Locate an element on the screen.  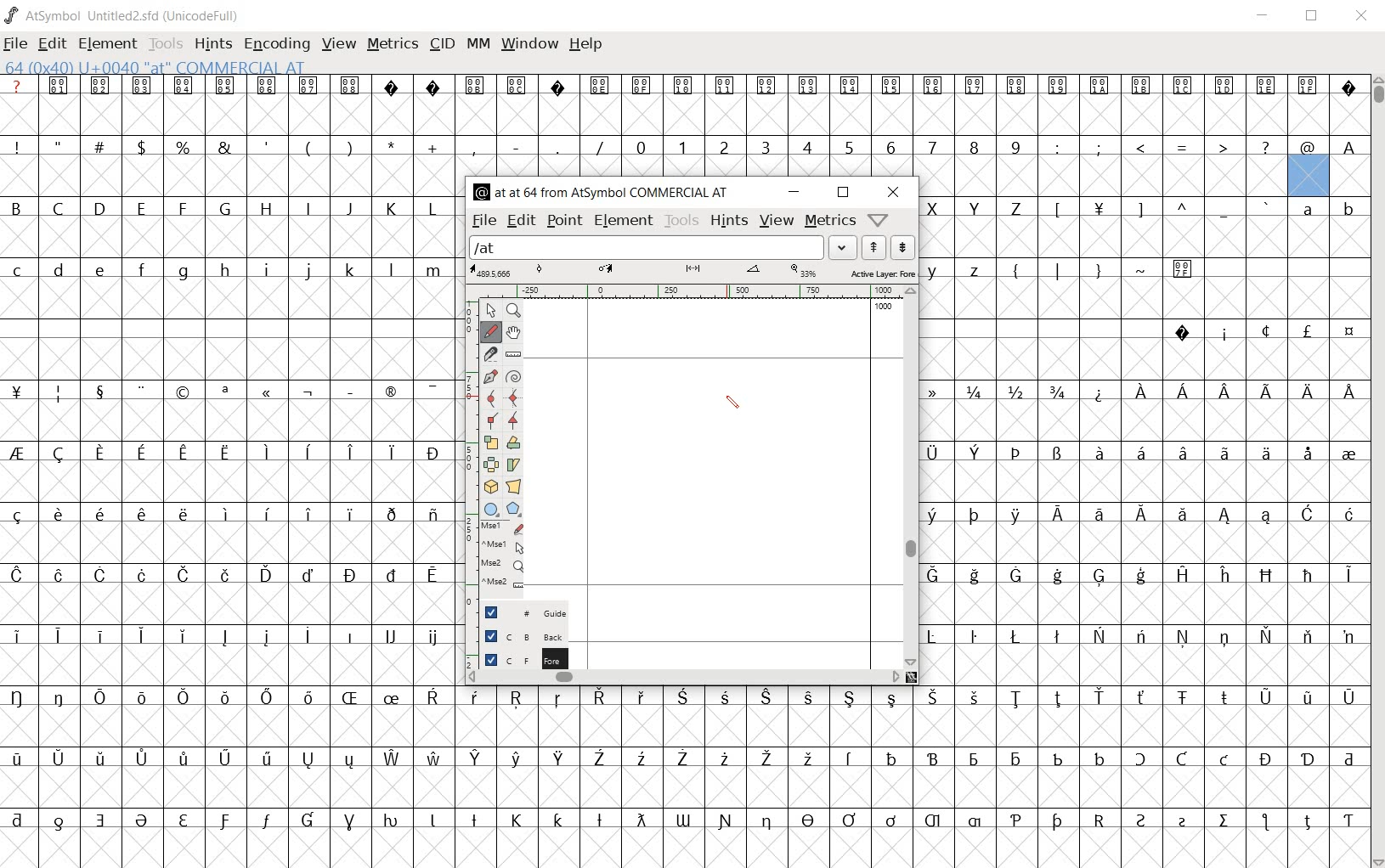
close is located at coordinates (893, 192).